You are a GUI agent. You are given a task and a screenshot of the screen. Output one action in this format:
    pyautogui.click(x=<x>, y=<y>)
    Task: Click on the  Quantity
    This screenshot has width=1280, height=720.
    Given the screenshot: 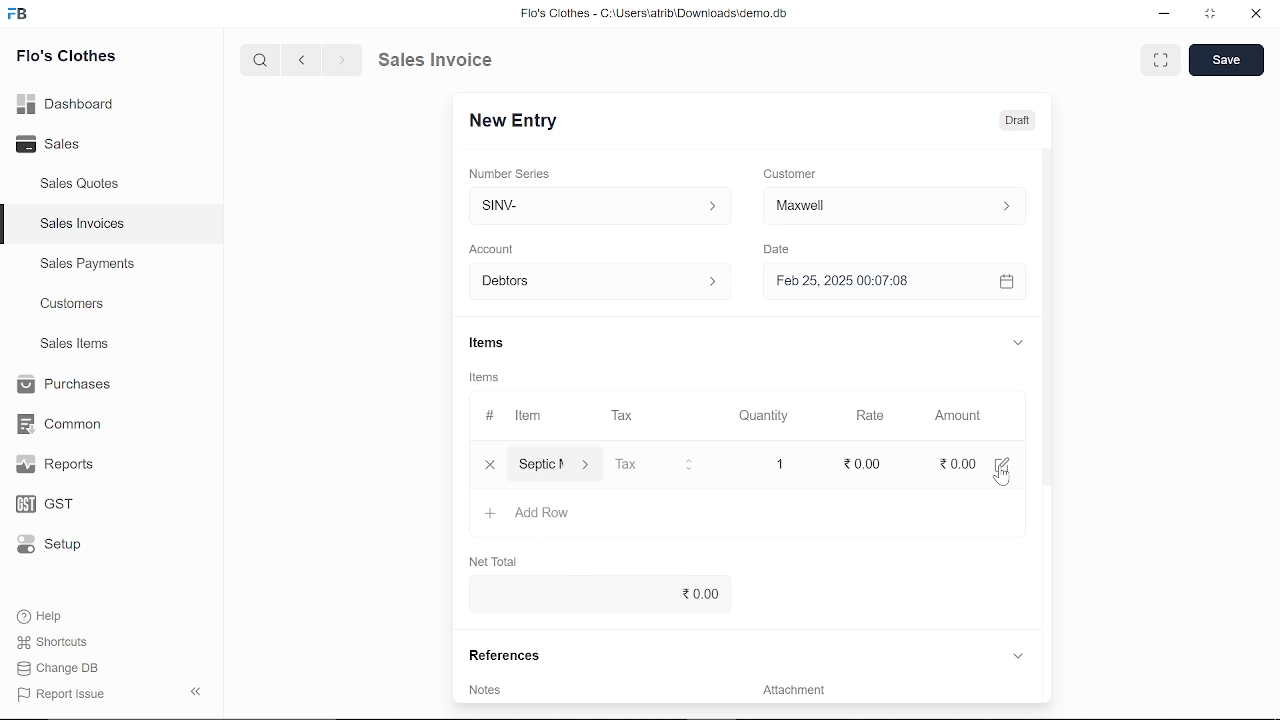 What is the action you would take?
    pyautogui.click(x=760, y=416)
    